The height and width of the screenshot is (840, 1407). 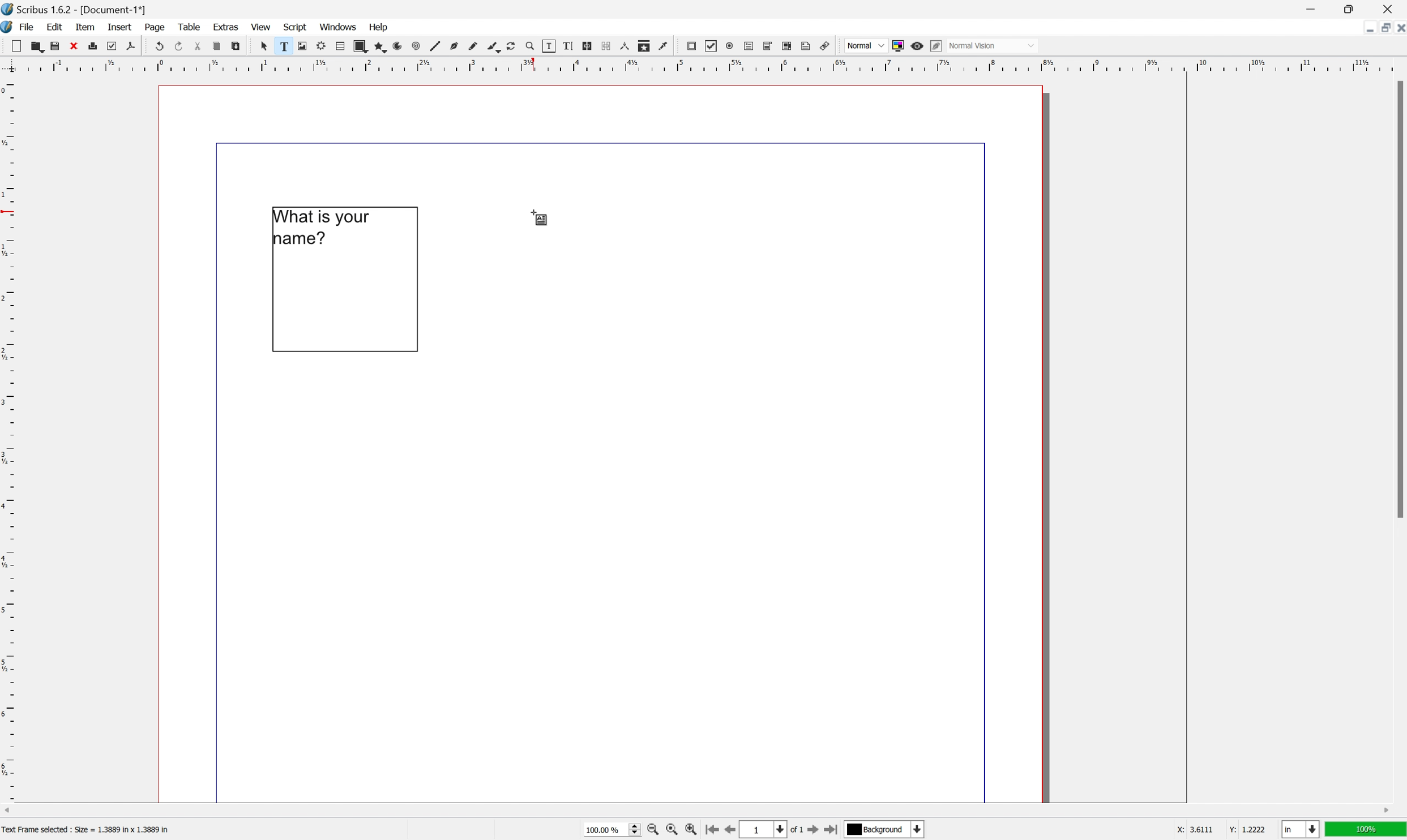 I want to click on go to first page, so click(x=713, y=830).